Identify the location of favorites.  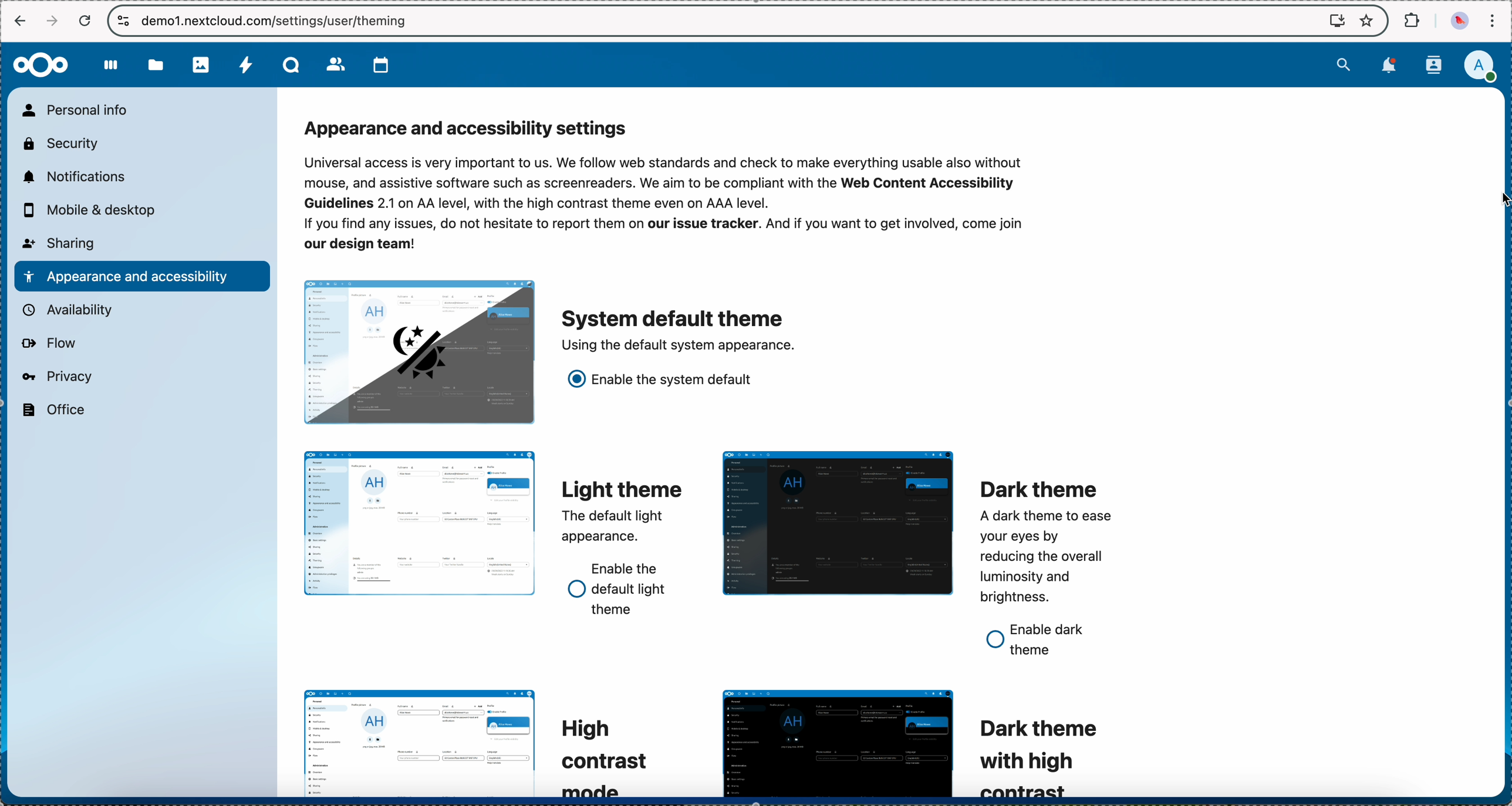
(1368, 19).